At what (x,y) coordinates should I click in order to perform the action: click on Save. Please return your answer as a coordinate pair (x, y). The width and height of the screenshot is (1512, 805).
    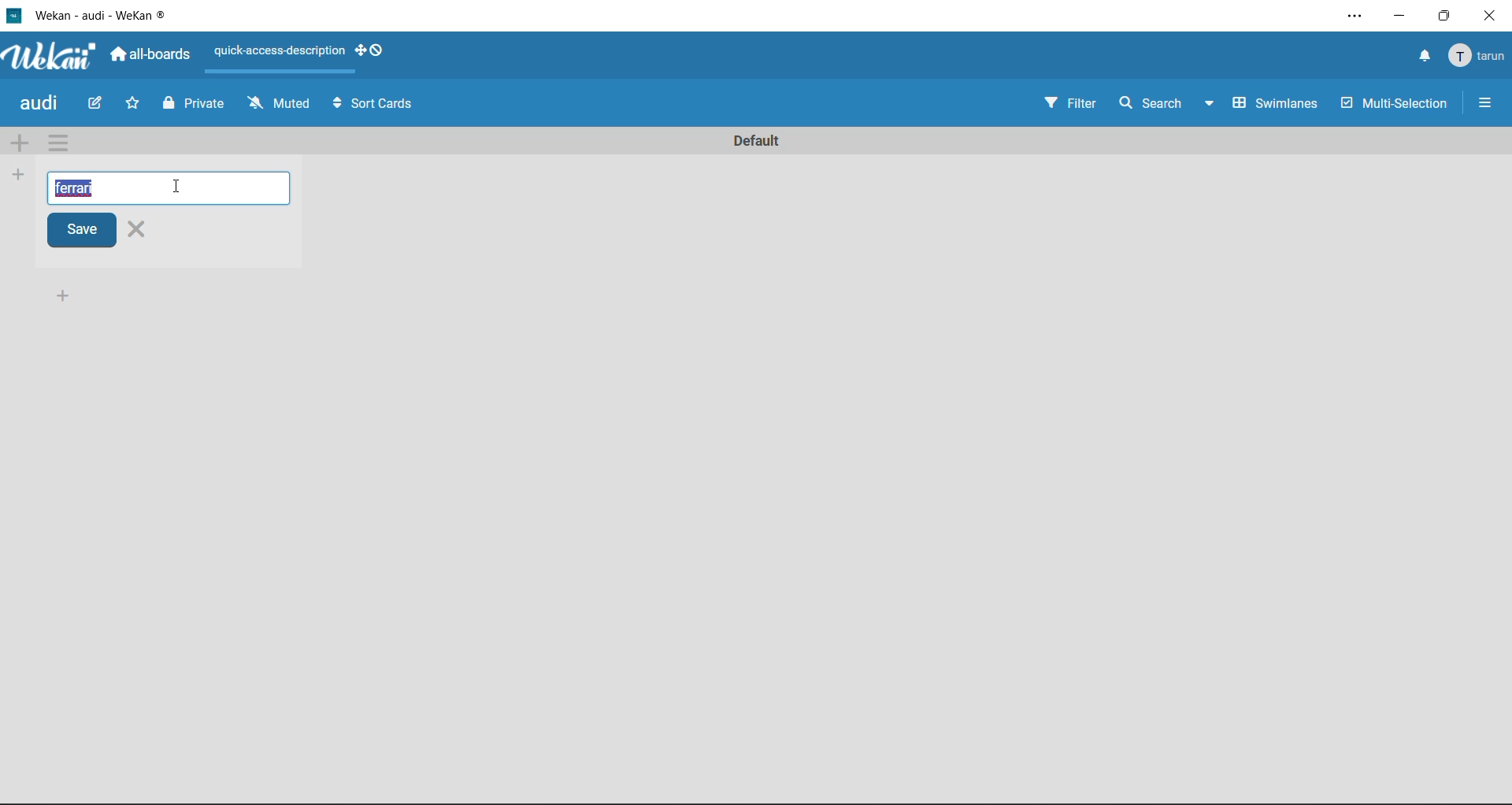
    Looking at the image, I should click on (78, 232).